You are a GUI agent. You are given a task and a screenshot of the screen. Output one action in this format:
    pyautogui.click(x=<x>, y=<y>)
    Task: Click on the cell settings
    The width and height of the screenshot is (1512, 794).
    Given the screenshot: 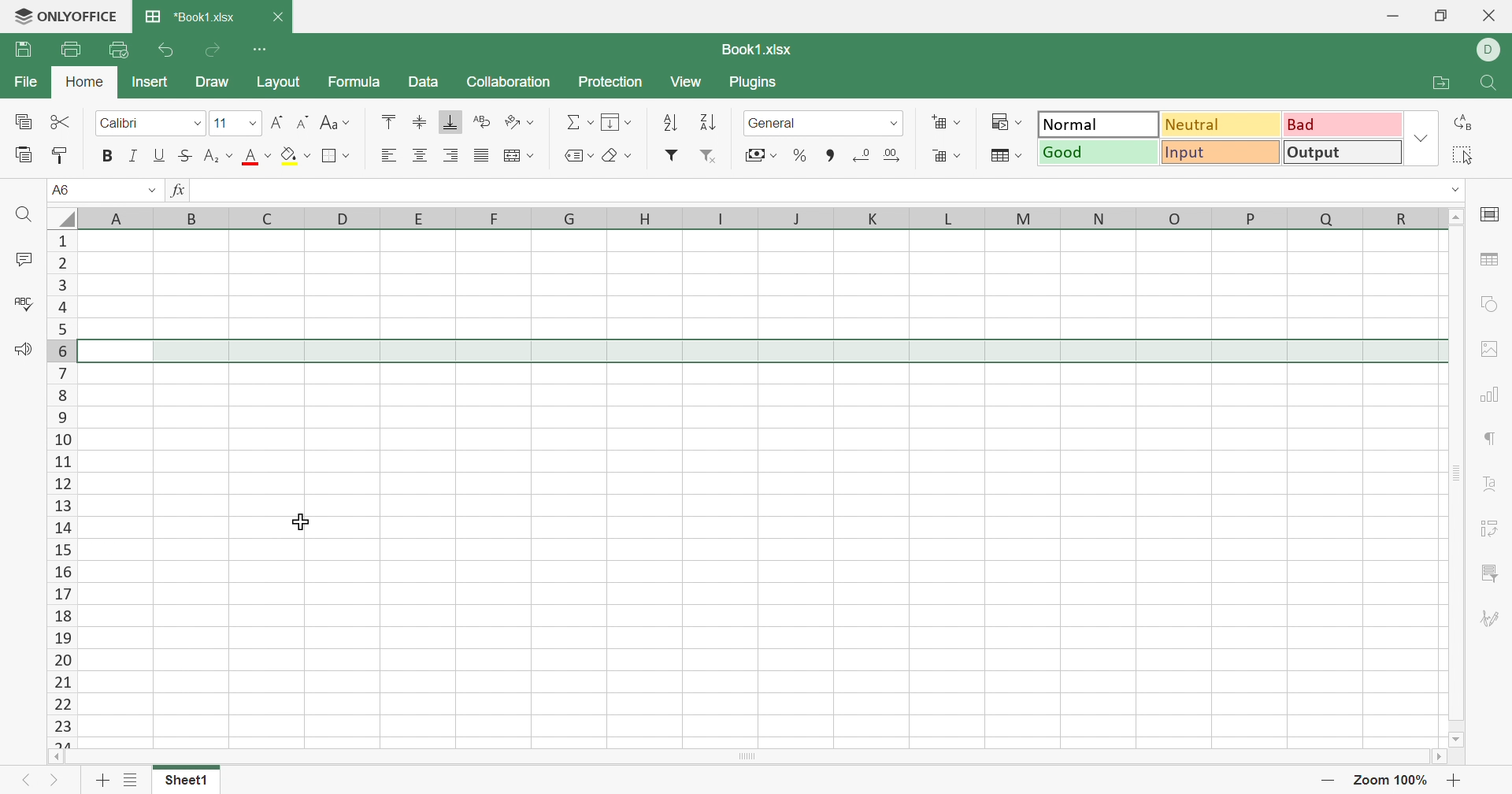 What is the action you would take?
    pyautogui.click(x=1489, y=217)
    